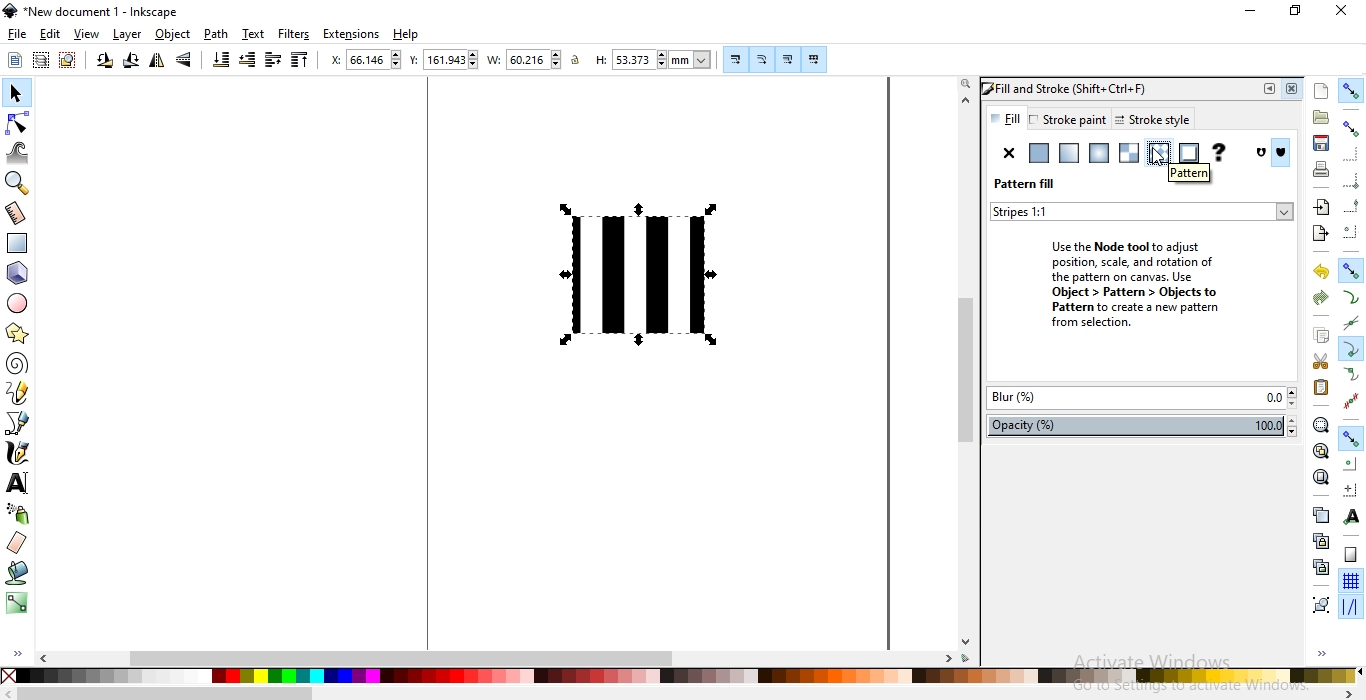 This screenshot has width=1366, height=700. What do you see at coordinates (333, 60) in the screenshot?
I see `horizontal coordinate of selection` at bounding box center [333, 60].